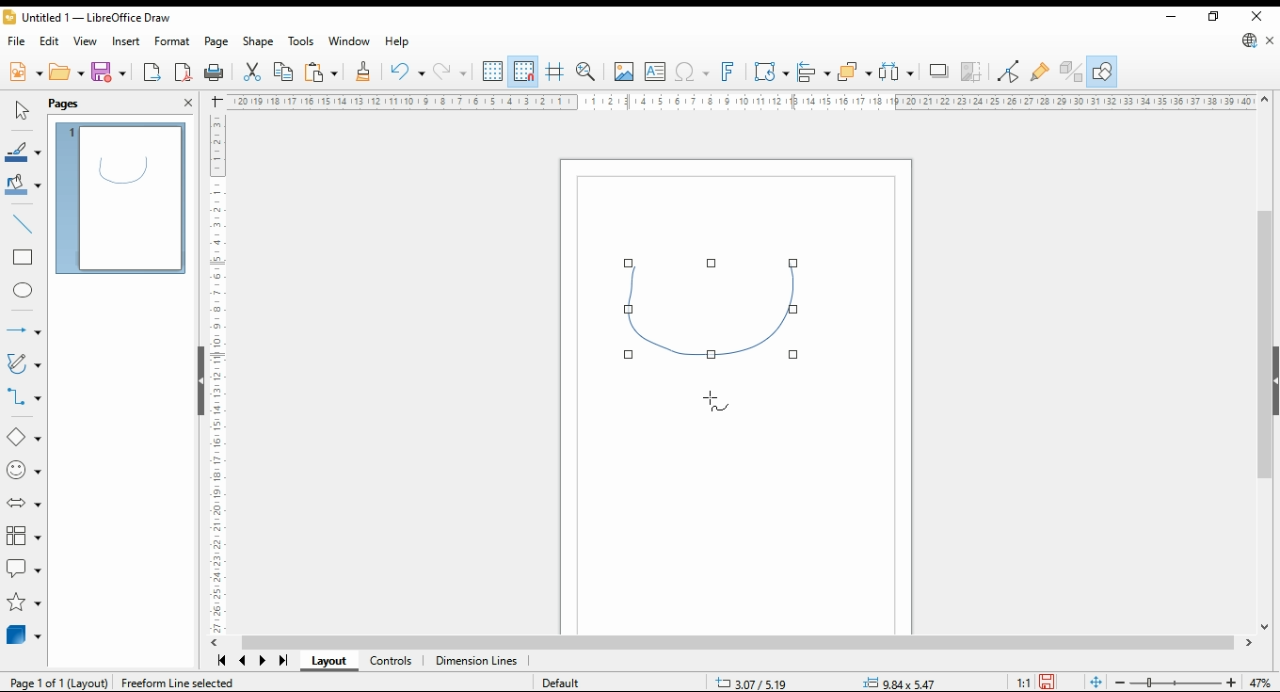 This screenshot has height=692, width=1280. What do you see at coordinates (895, 72) in the screenshot?
I see `select at least three objects to distribute` at bounding box center [895, 72].